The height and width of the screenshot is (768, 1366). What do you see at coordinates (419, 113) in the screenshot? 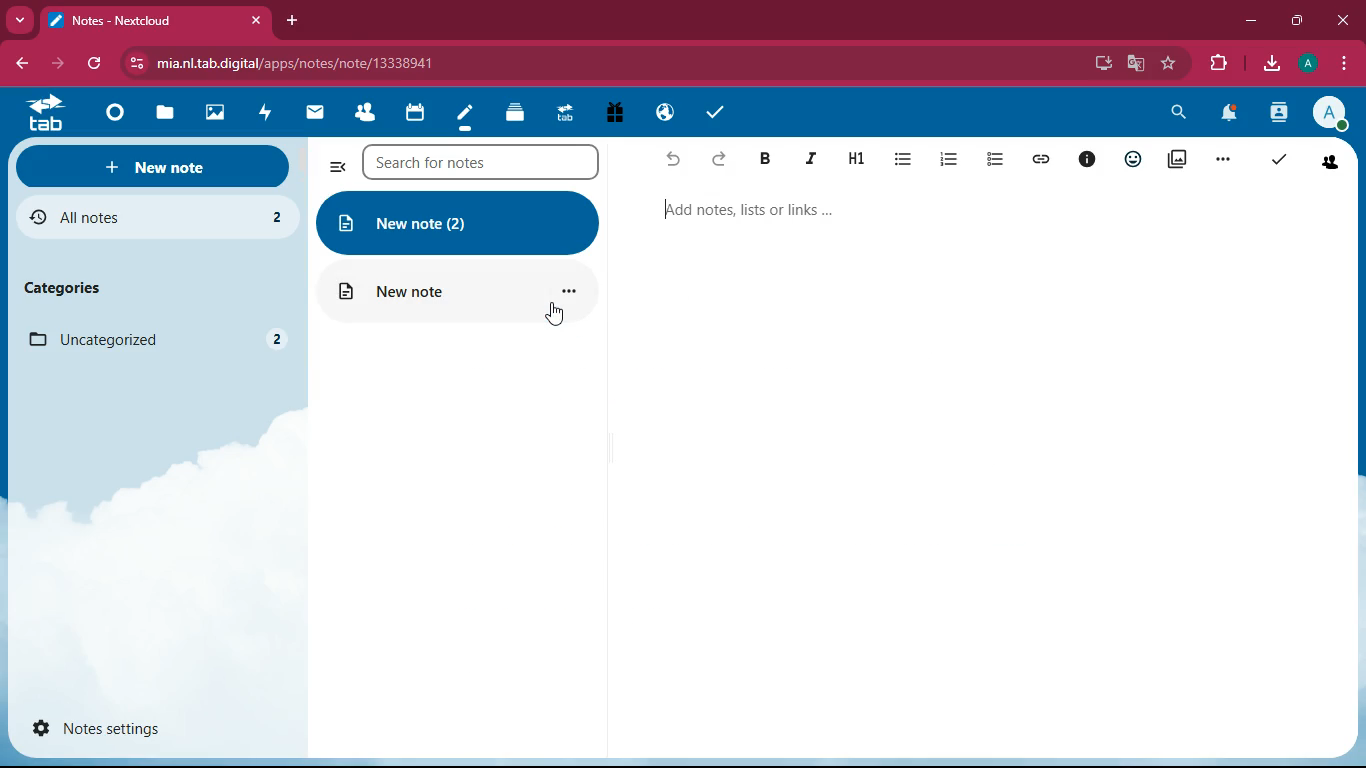
I see `calendar` at bounding box center [419, 113].